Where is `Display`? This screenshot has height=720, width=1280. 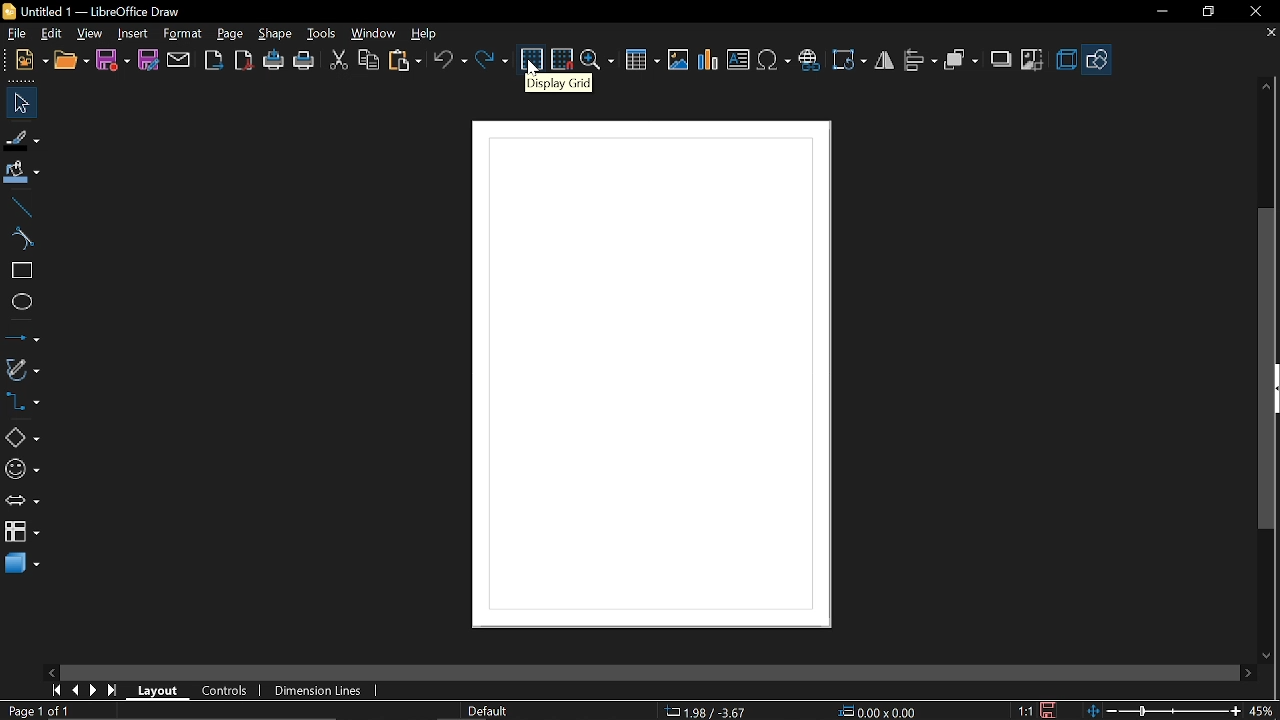 Display is located at coordinates (621, 372).